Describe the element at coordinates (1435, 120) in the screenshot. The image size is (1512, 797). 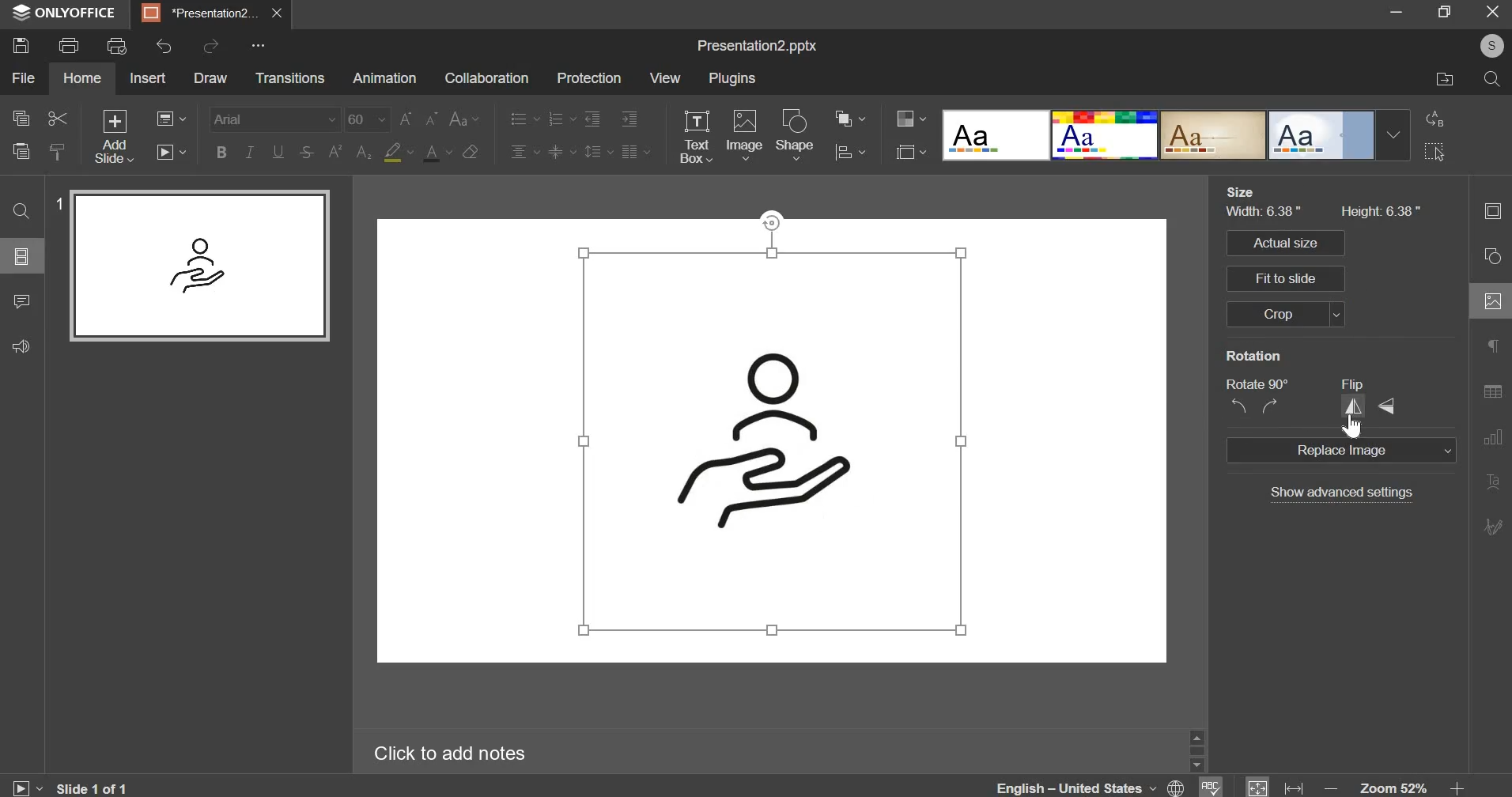
I see `replace` at that location.